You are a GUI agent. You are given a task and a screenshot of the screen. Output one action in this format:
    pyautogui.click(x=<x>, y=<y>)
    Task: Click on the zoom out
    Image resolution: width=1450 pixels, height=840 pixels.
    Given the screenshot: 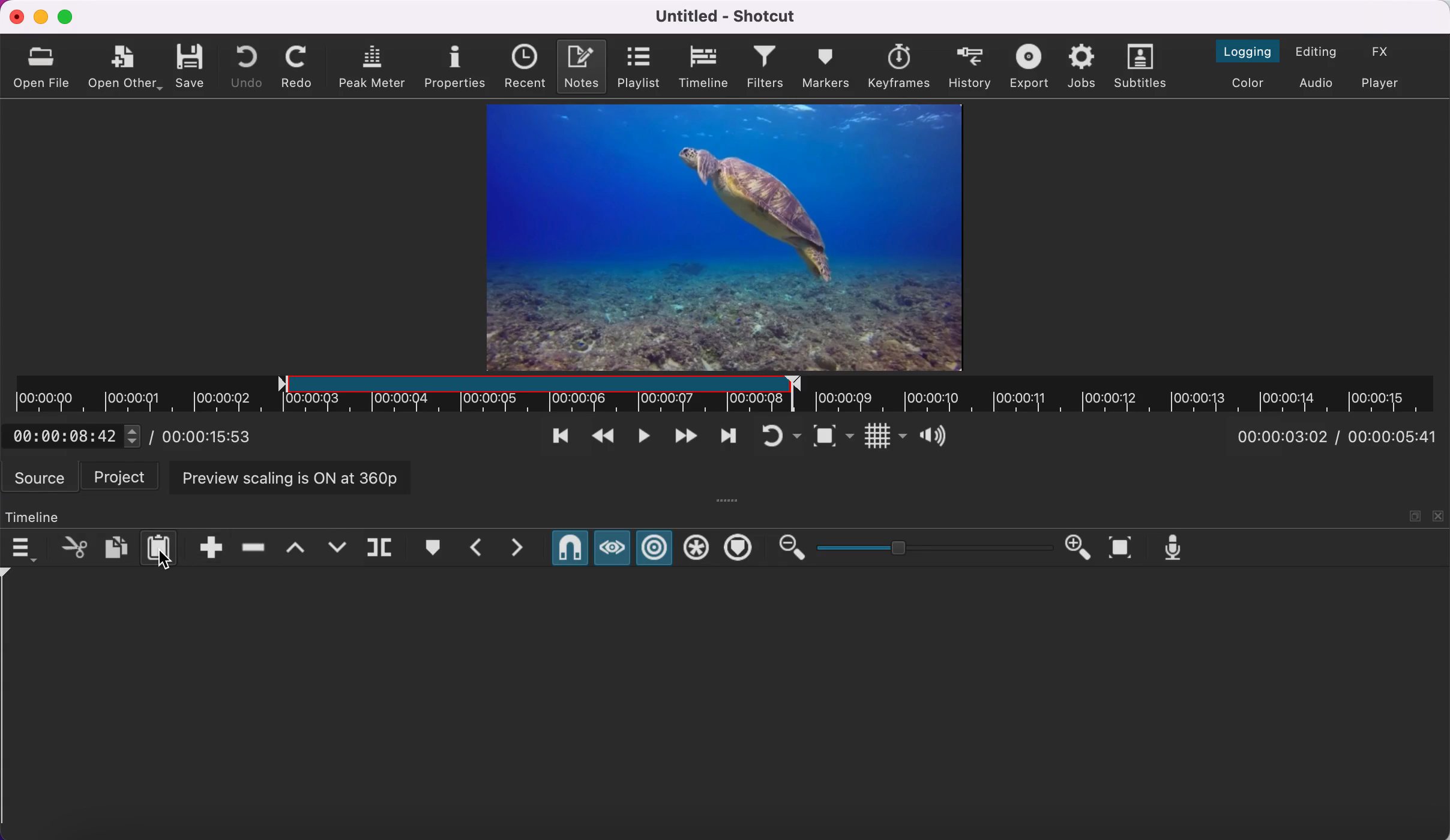 What is the action you would take?
    pyautogui.click(x=790, y=548)
    